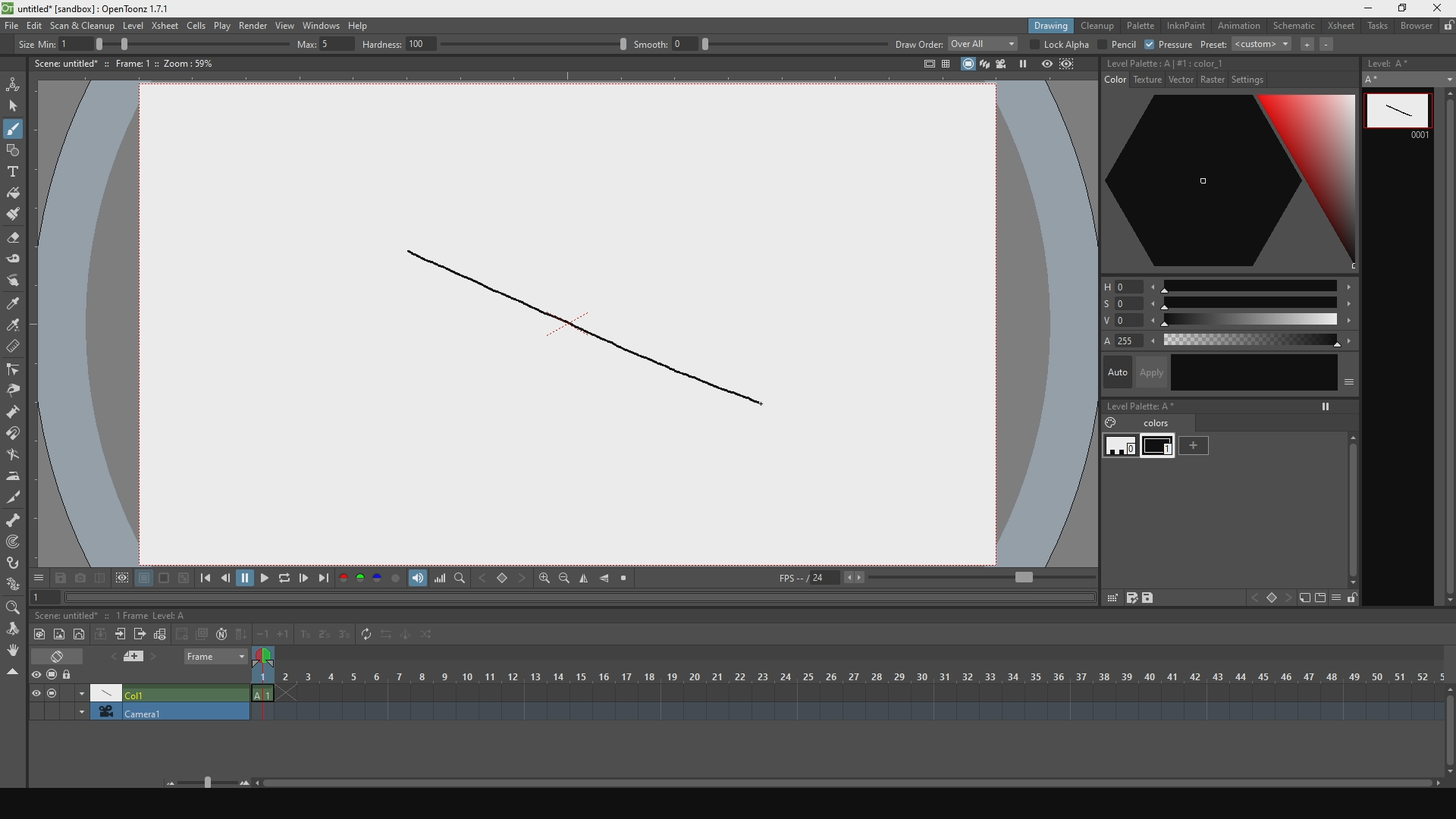 This screenshot has width=1456, height=819. I want to click on color palette, so click(1225, 185).